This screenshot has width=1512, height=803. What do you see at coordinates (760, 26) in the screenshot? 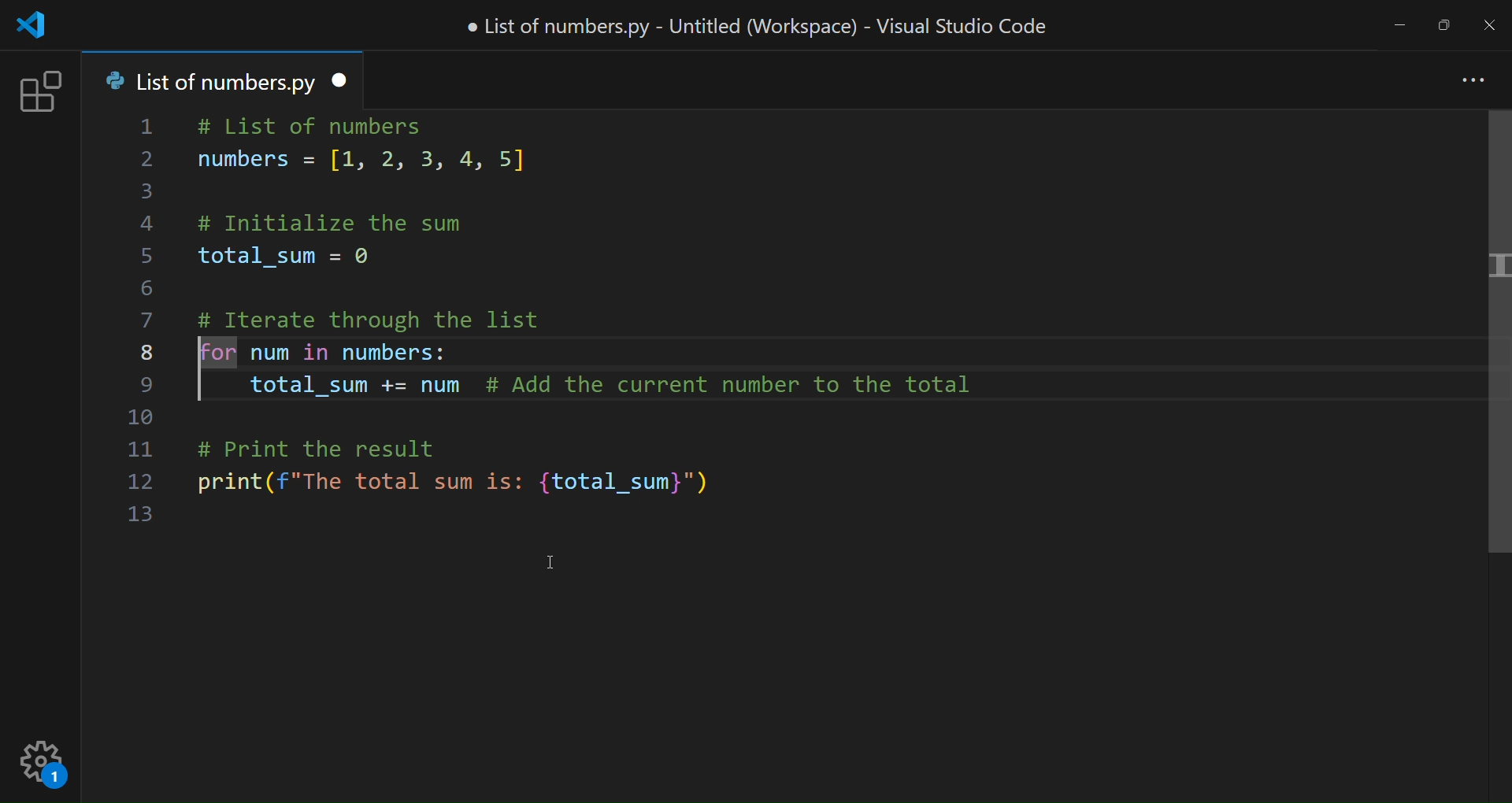
I see `title` at bounding box center [760, 26].